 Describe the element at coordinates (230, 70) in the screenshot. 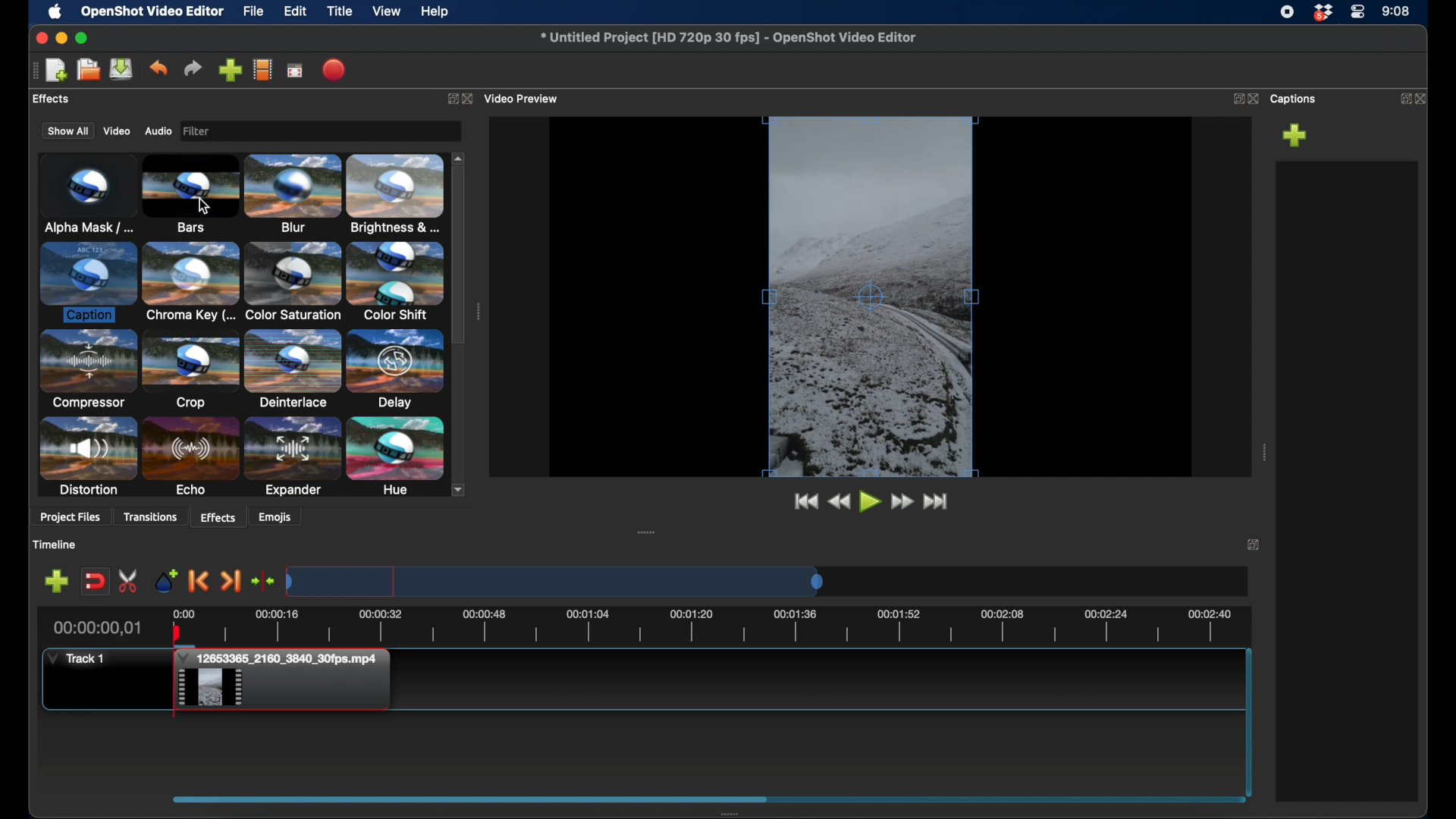

I see `import files` at that location.